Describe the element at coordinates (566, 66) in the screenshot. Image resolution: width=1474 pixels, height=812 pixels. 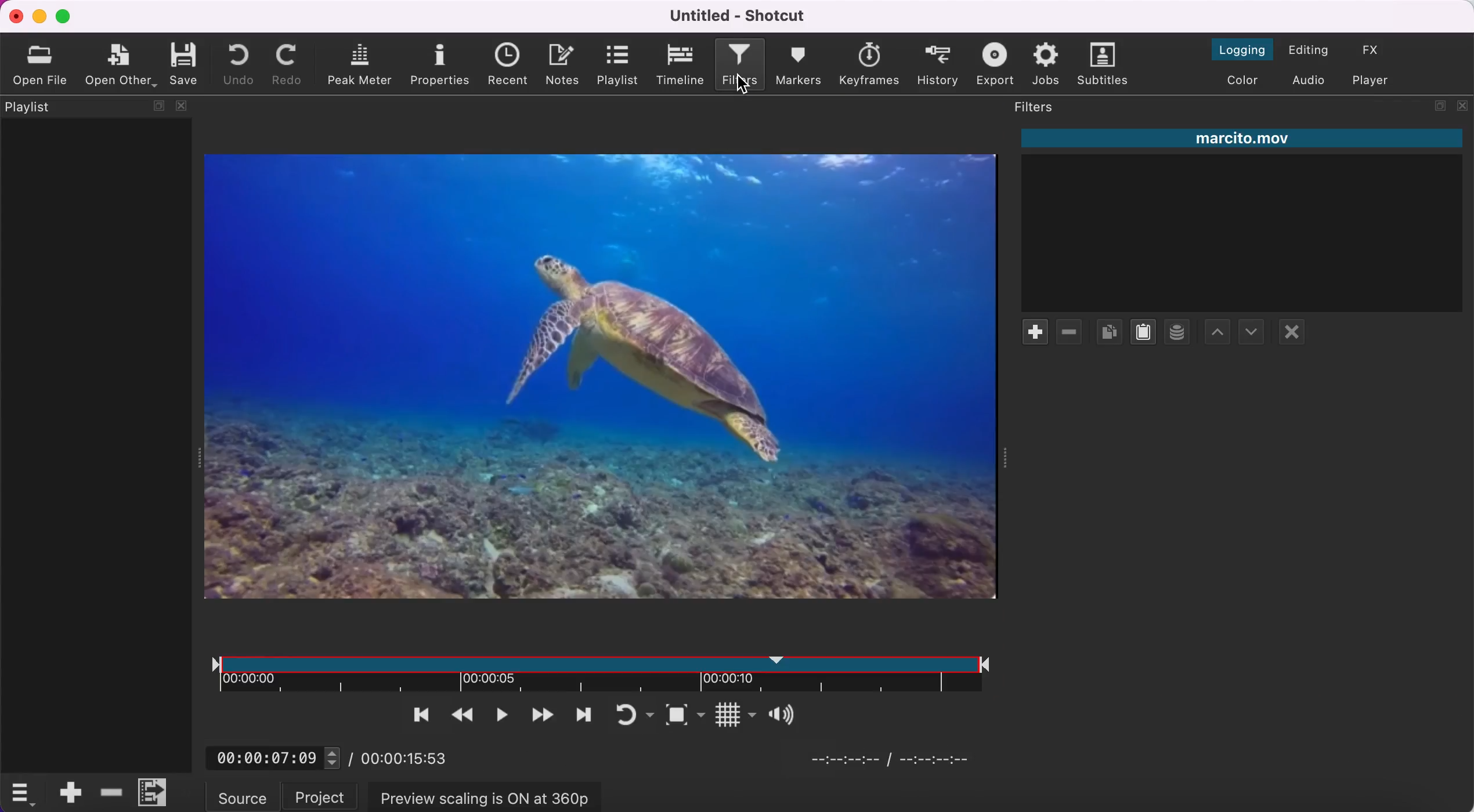
I see `notes` at that location.